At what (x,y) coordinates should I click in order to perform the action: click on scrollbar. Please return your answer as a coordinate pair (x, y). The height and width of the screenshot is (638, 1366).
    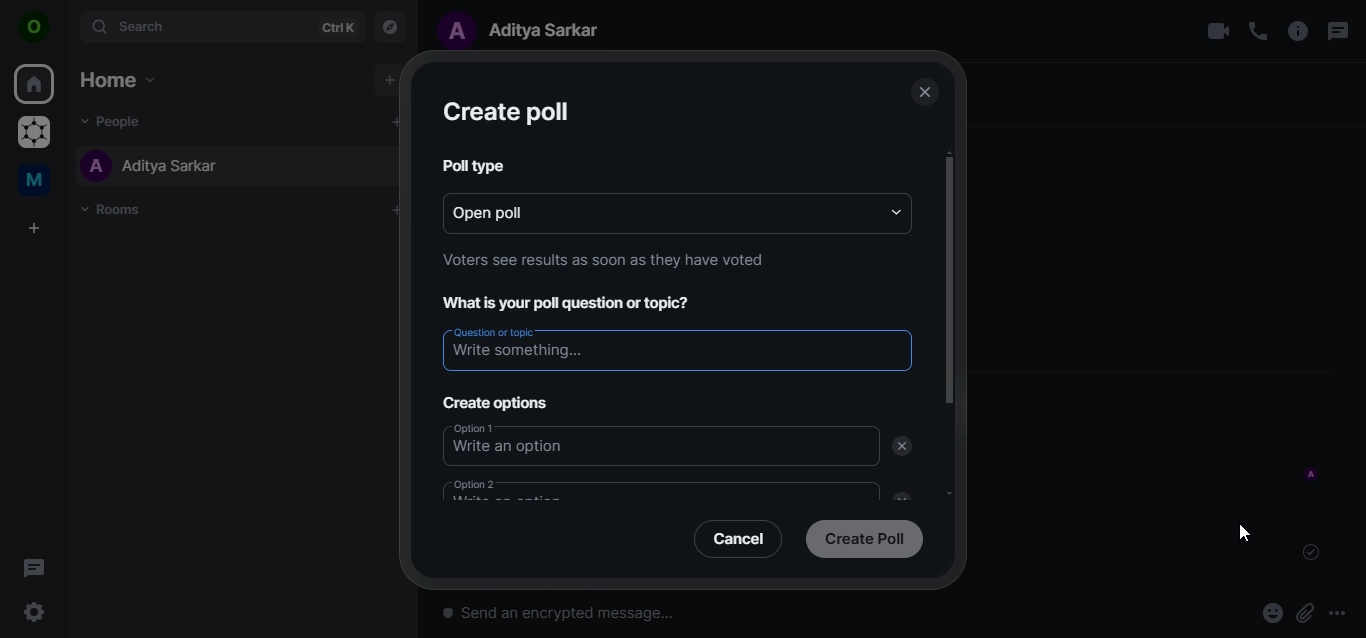
    Looking at the image, I should click on (947, 281).